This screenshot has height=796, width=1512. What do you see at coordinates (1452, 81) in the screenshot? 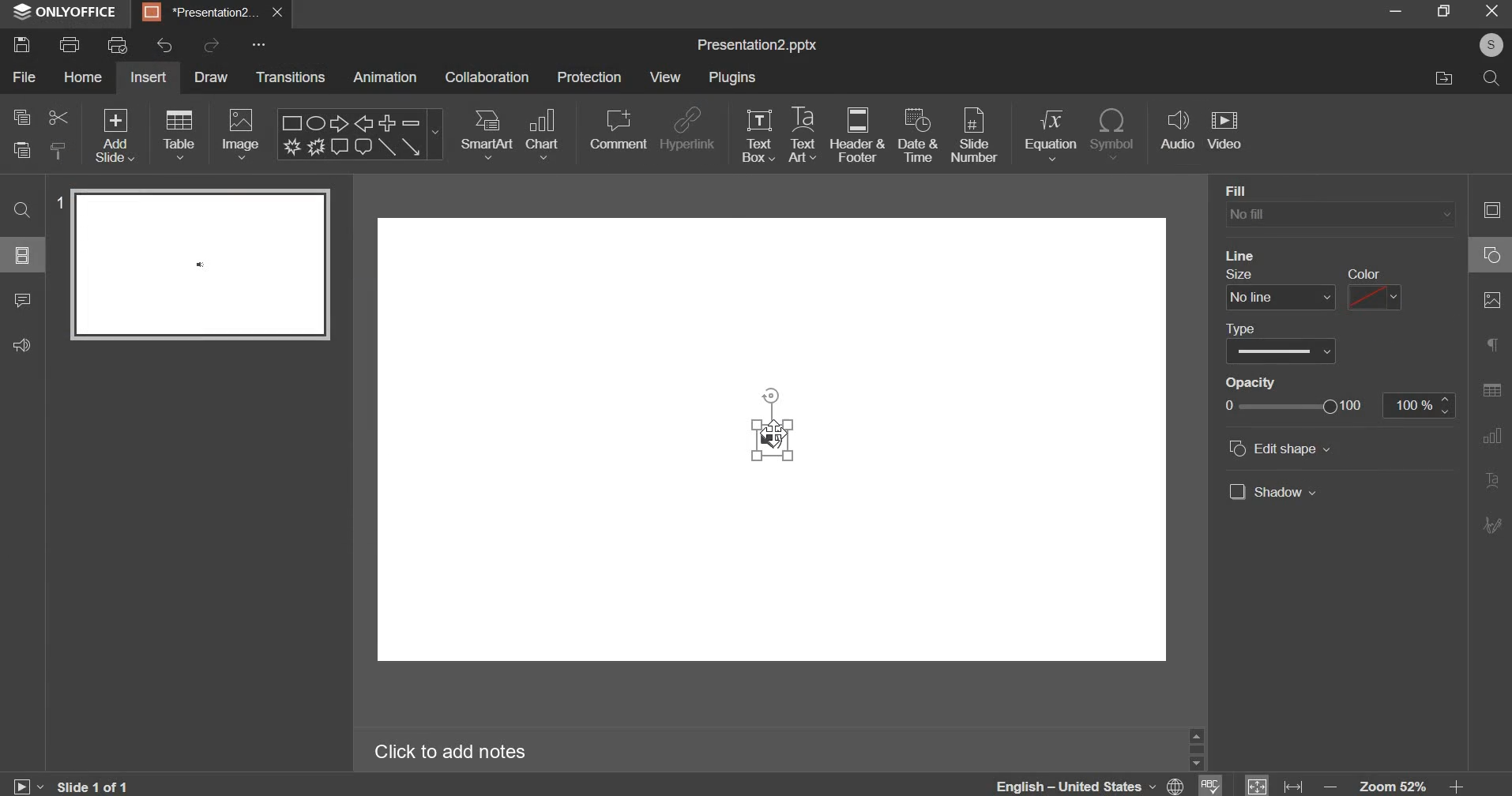
I see `file location` at bounding box center [1452, 81].